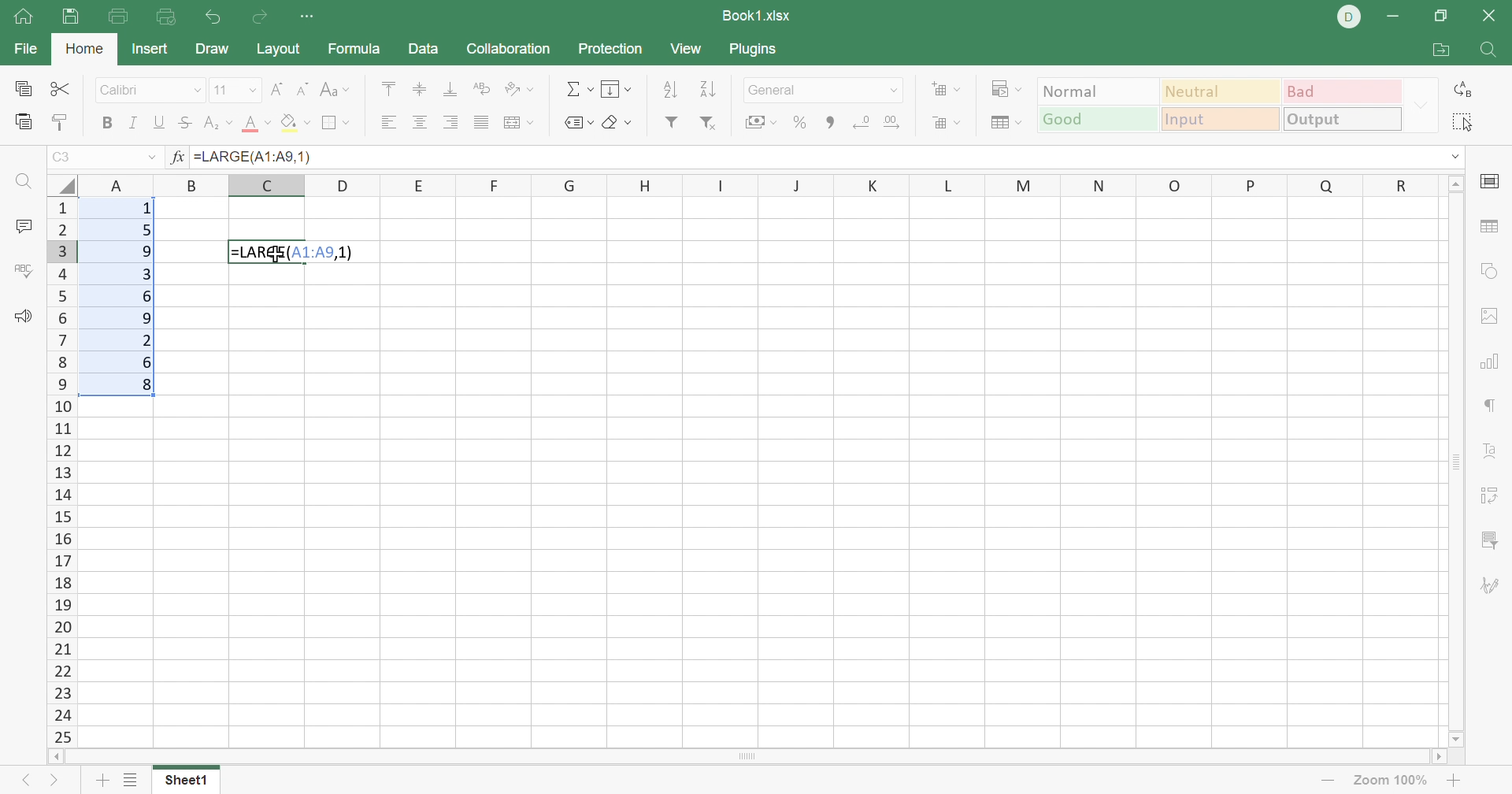 The image size is (1512, 794). What do you see at coordinates (947, 123) in the screenshot?
I see `Delete cells` at bounding box center [947, 123].